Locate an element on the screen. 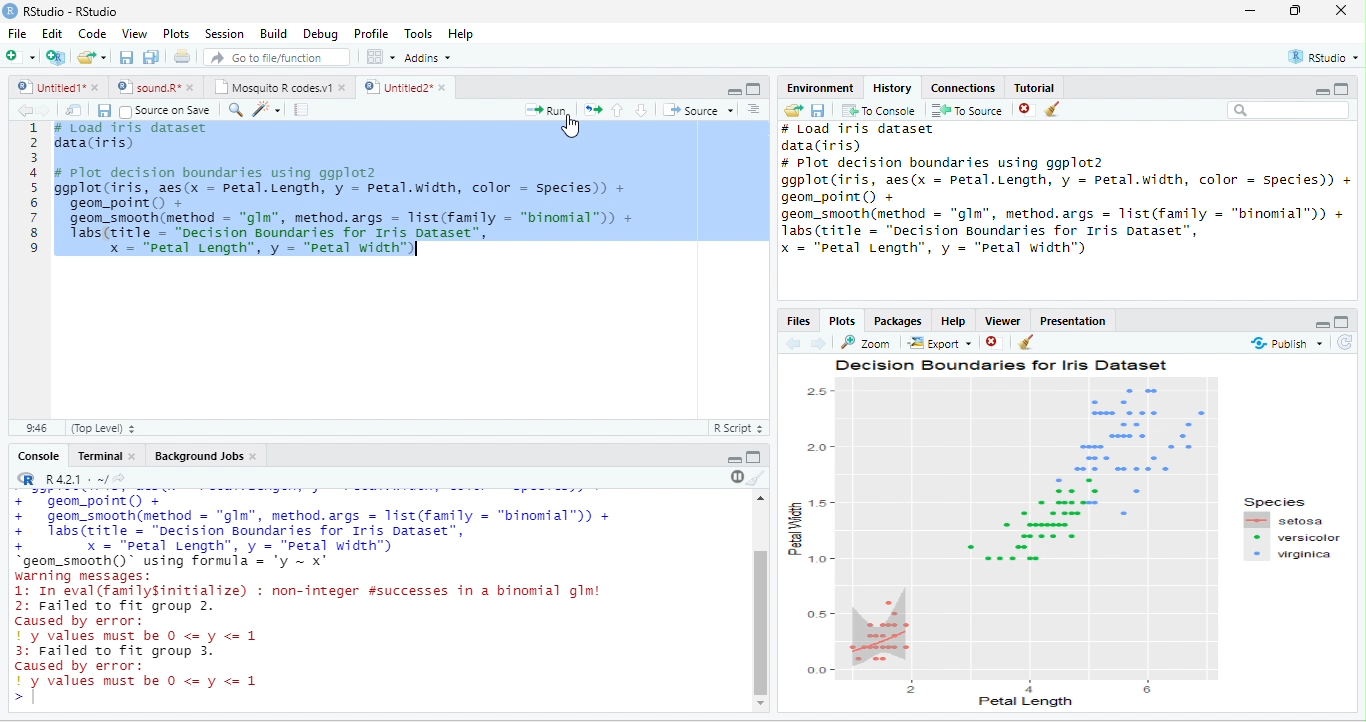 This screenshot has width=1366, height=722. History is located at coordinates (892, 88).